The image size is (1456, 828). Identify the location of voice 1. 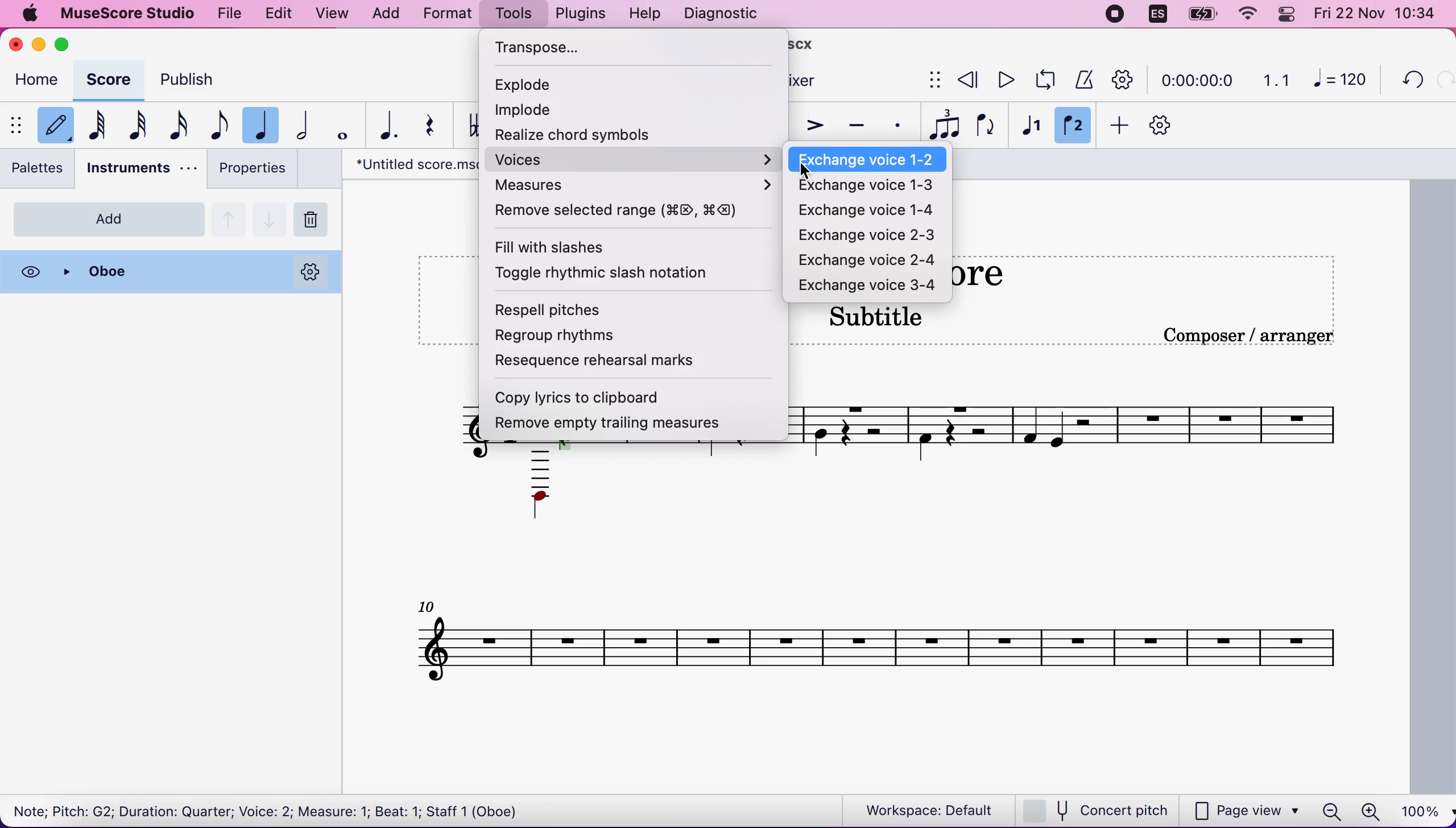
(1032, 123).